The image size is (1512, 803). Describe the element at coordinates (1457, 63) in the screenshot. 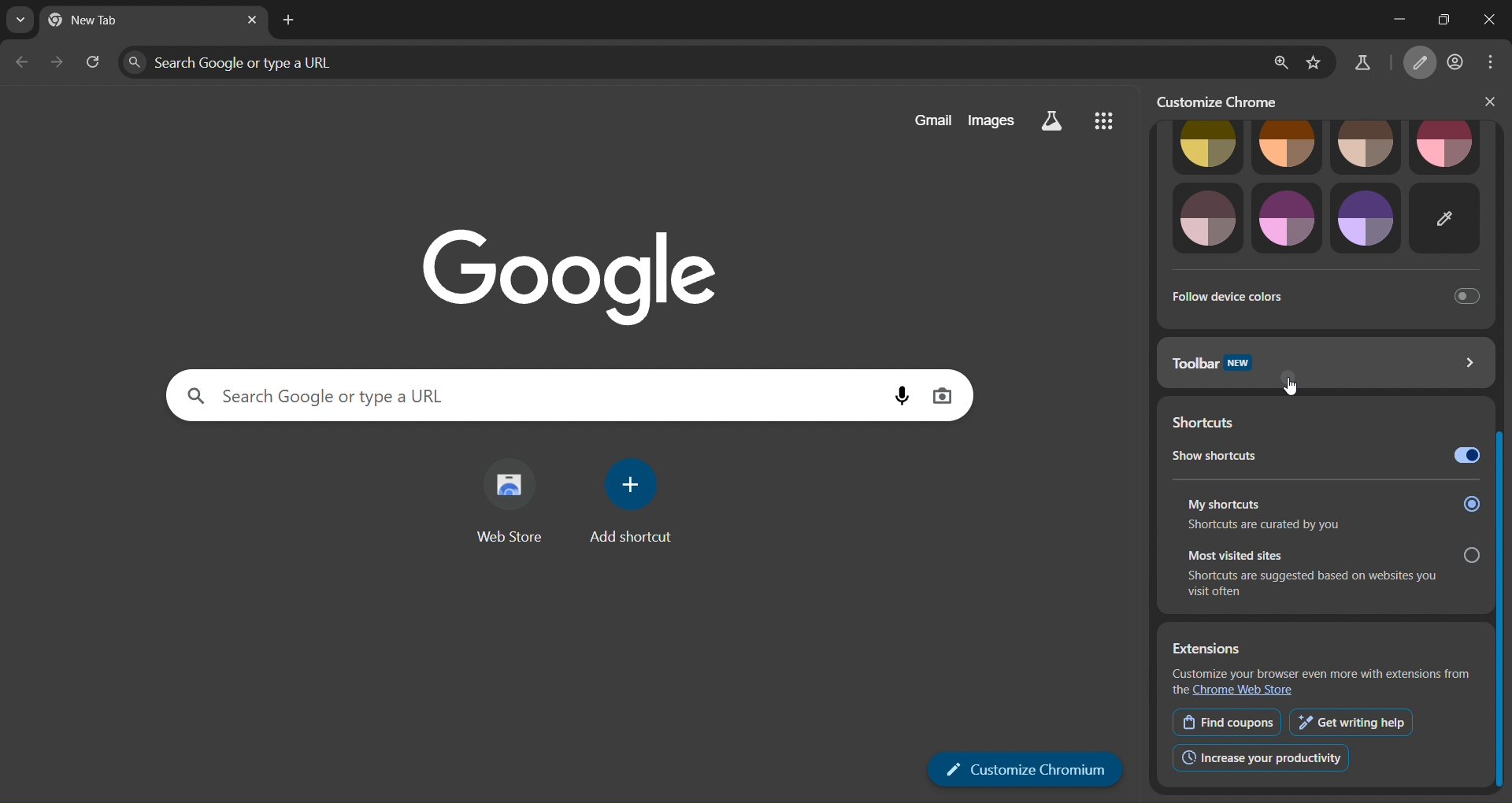

I see `account` at that location.